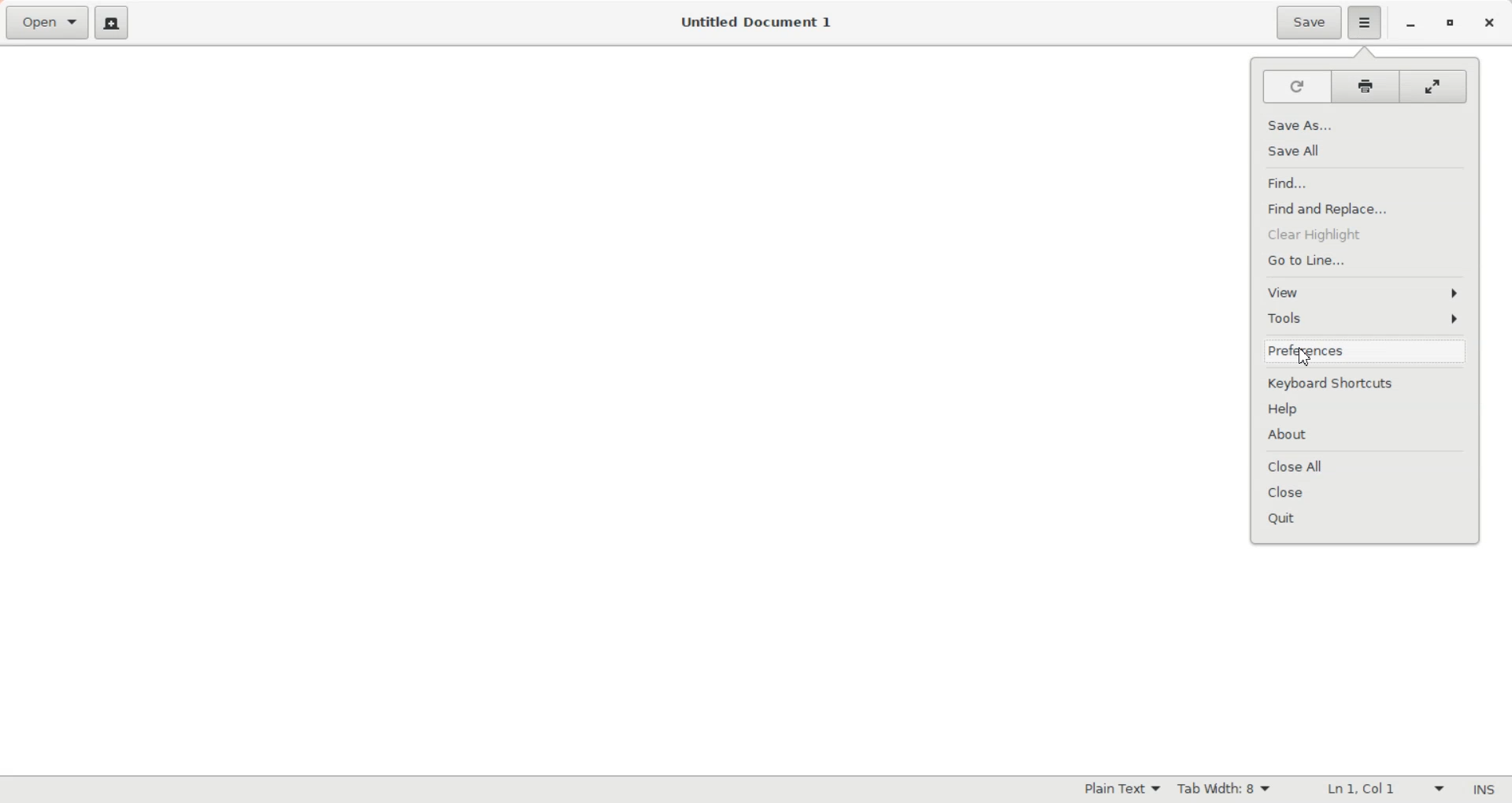  Describe the element at coordinates (1366, 319) in the screenshot. I see `Tools` at that location.